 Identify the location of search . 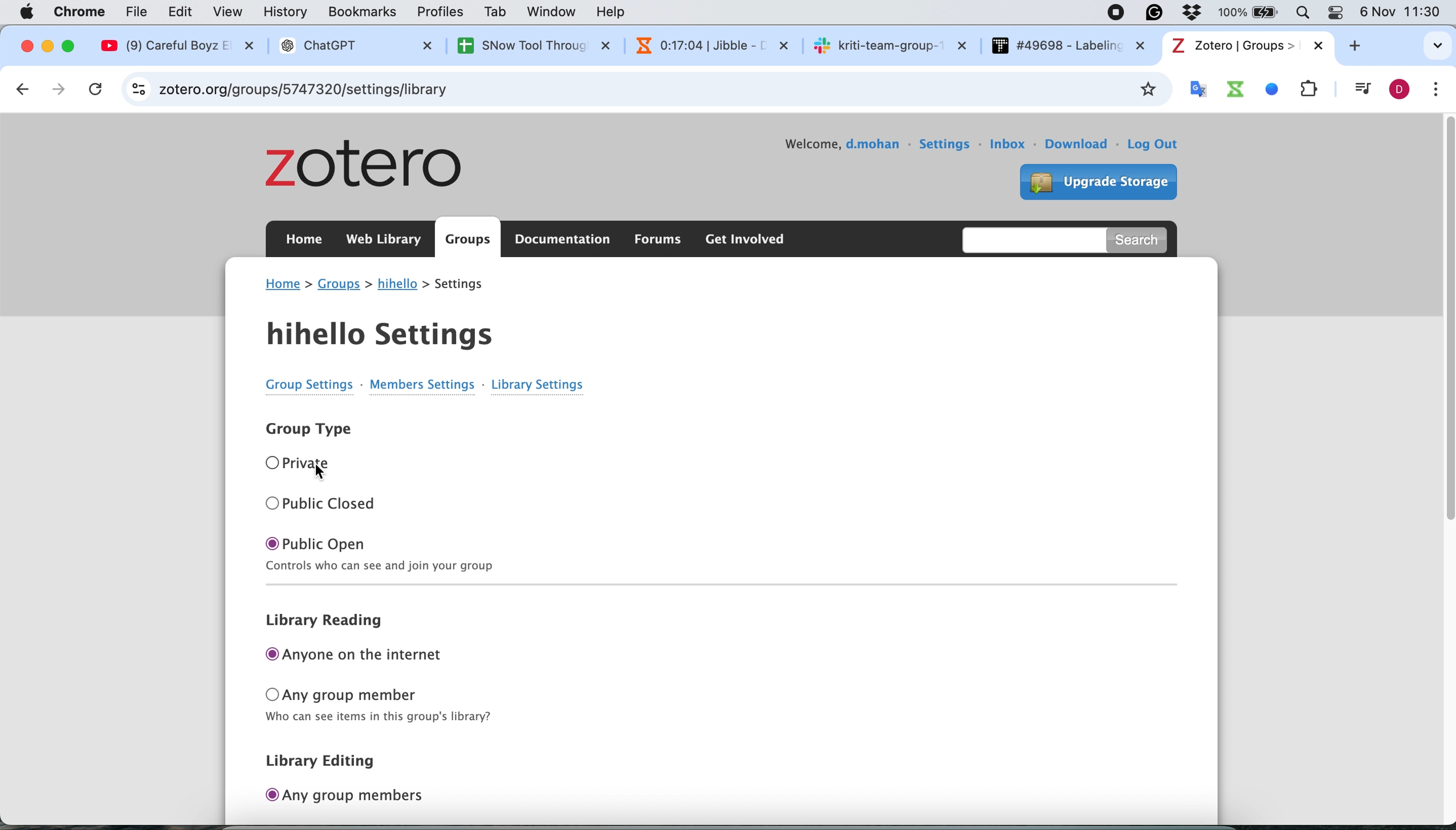
(1028, 238).